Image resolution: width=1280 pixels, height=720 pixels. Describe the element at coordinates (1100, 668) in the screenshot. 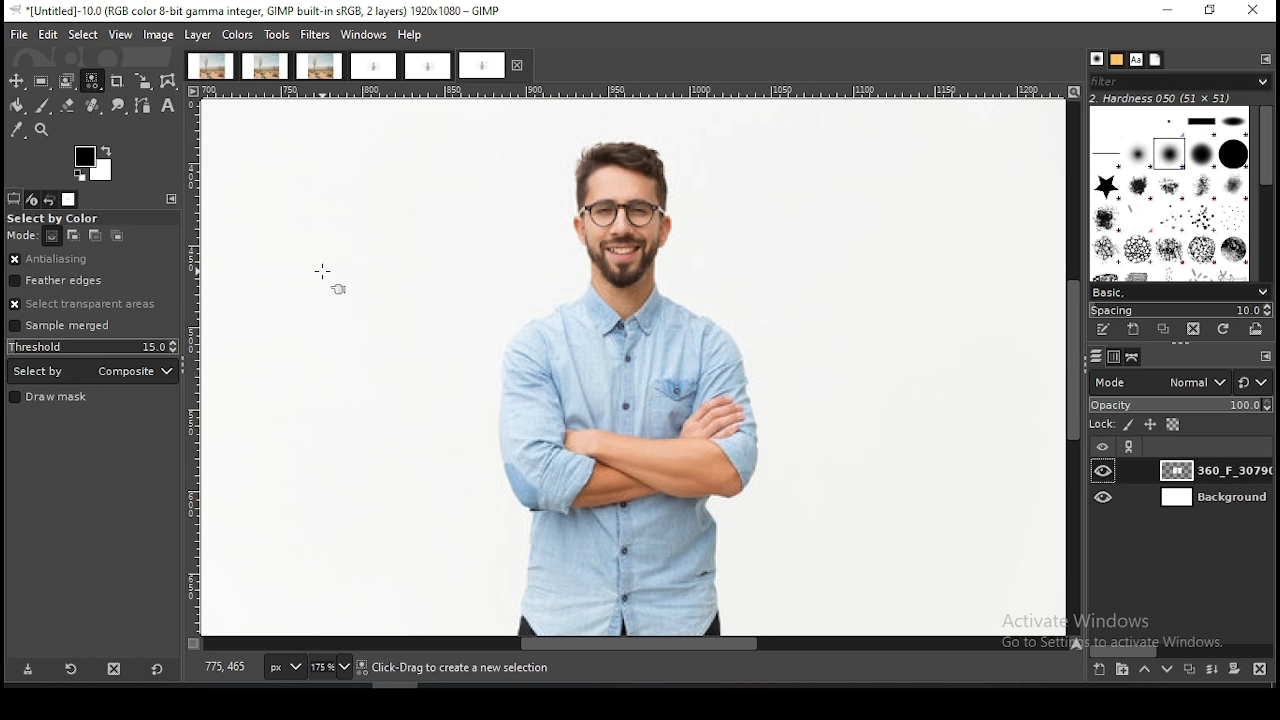

I see `create a new layer` at that location.